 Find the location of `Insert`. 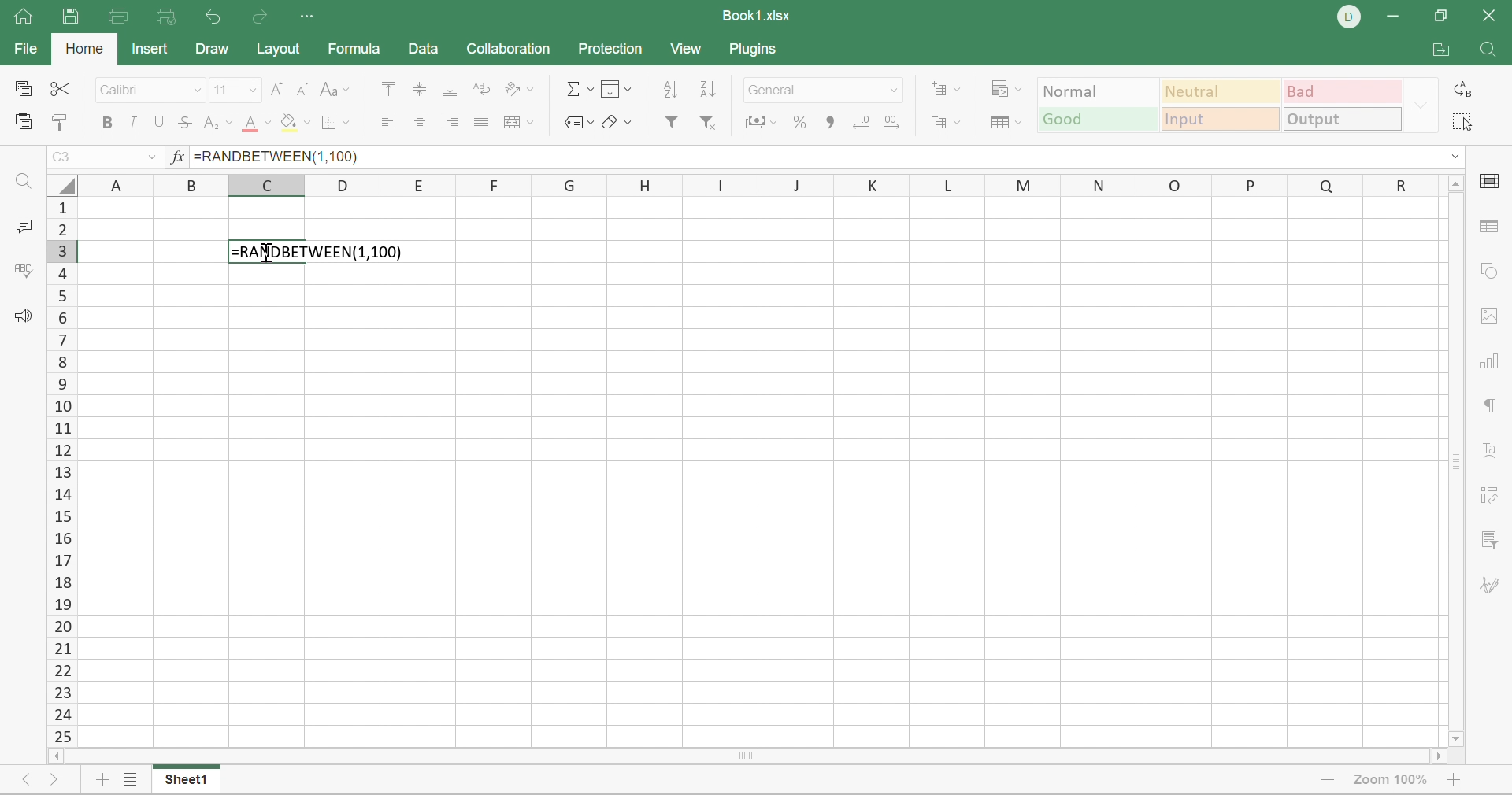

Insert is located at coordinates (154, 51).